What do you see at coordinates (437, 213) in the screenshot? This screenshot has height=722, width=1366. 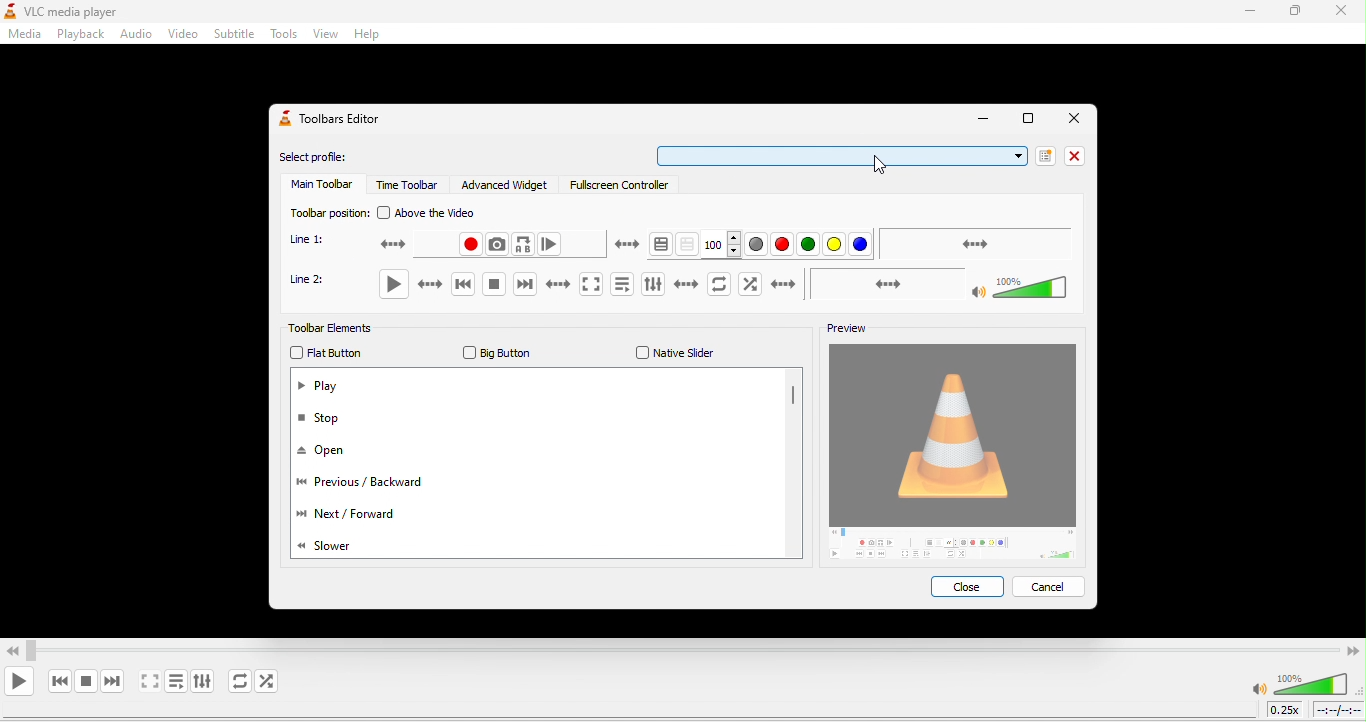 I see `above the video` at bounding box center [437, 213].